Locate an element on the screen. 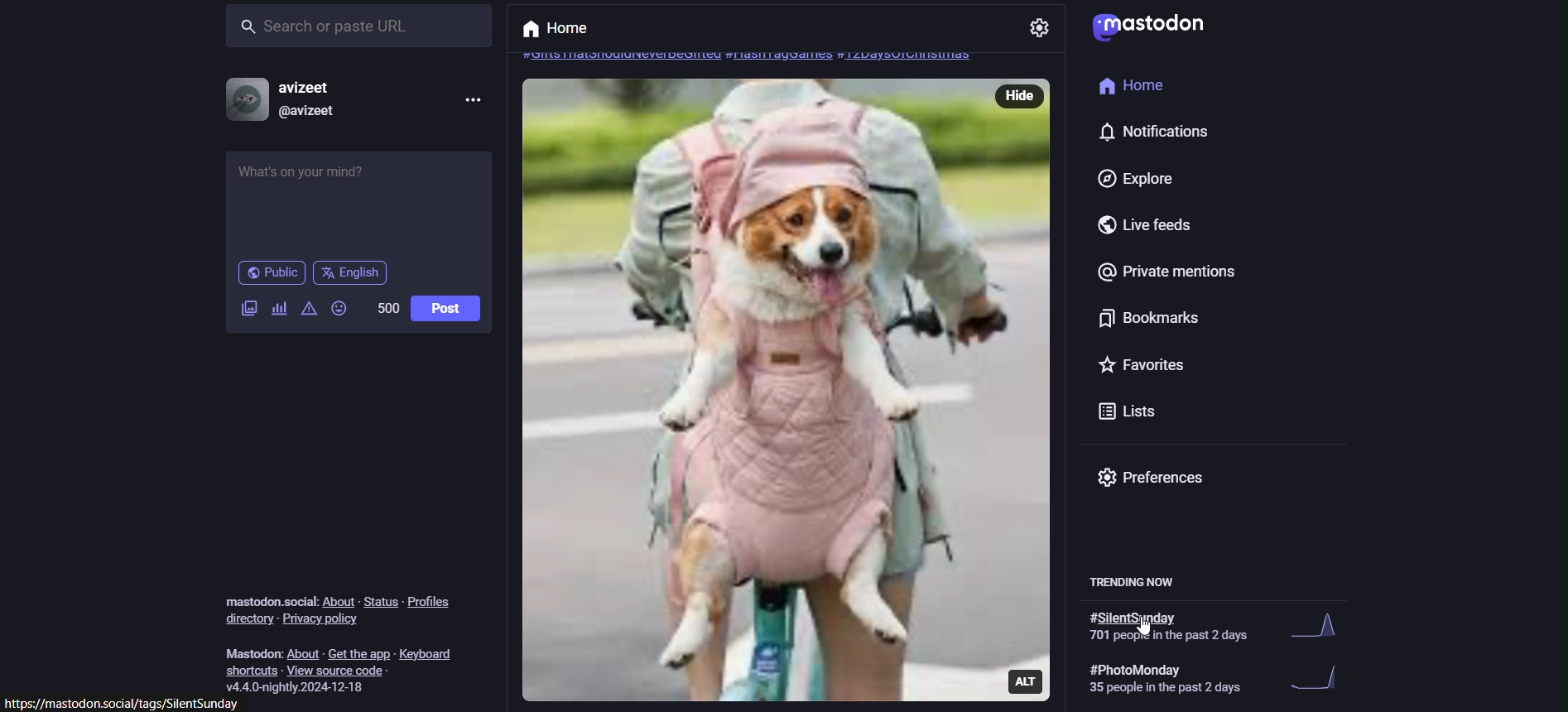  Mastodon is located at coordinates (1147, 26).